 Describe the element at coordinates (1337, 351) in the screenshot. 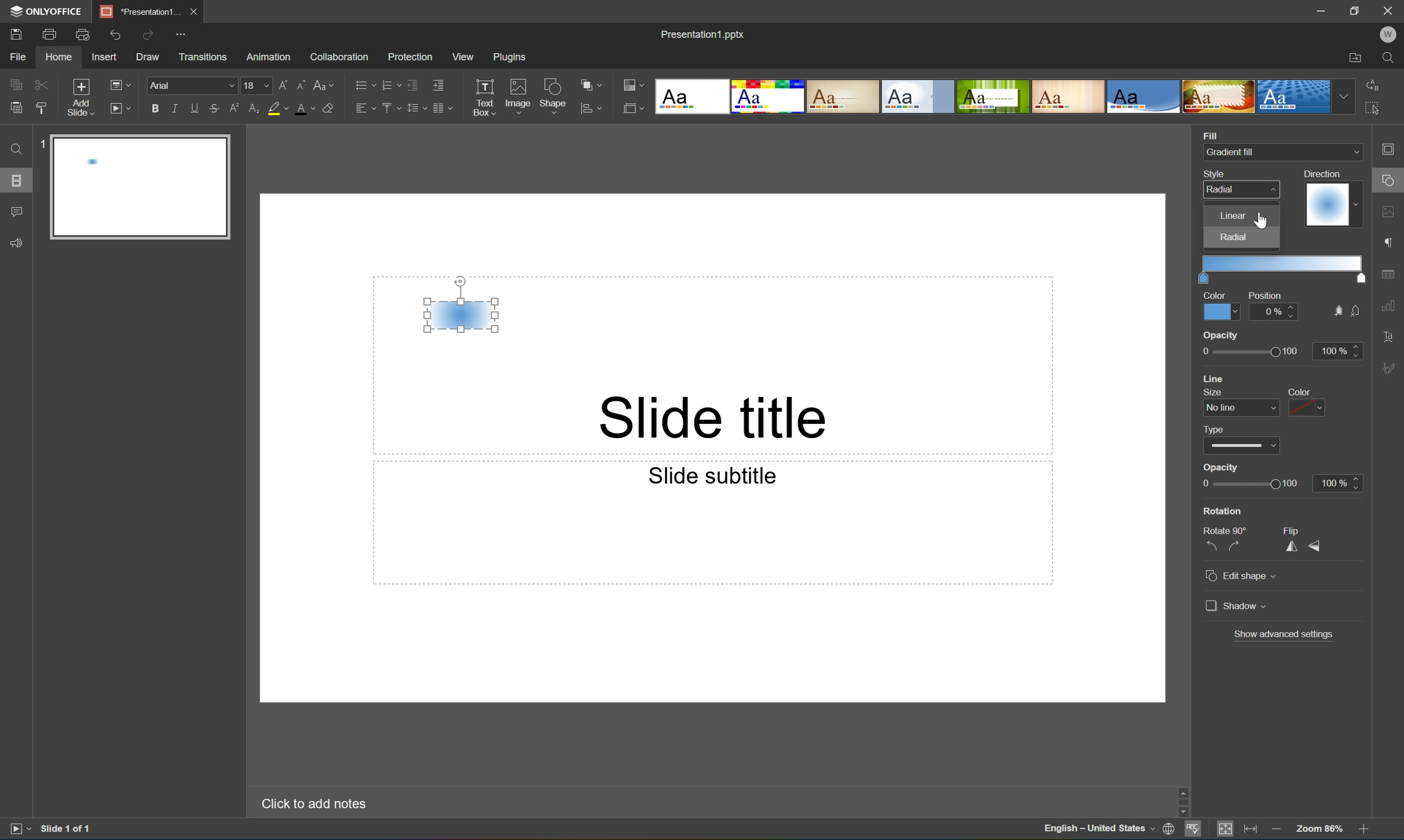

I see `100%` at that location.